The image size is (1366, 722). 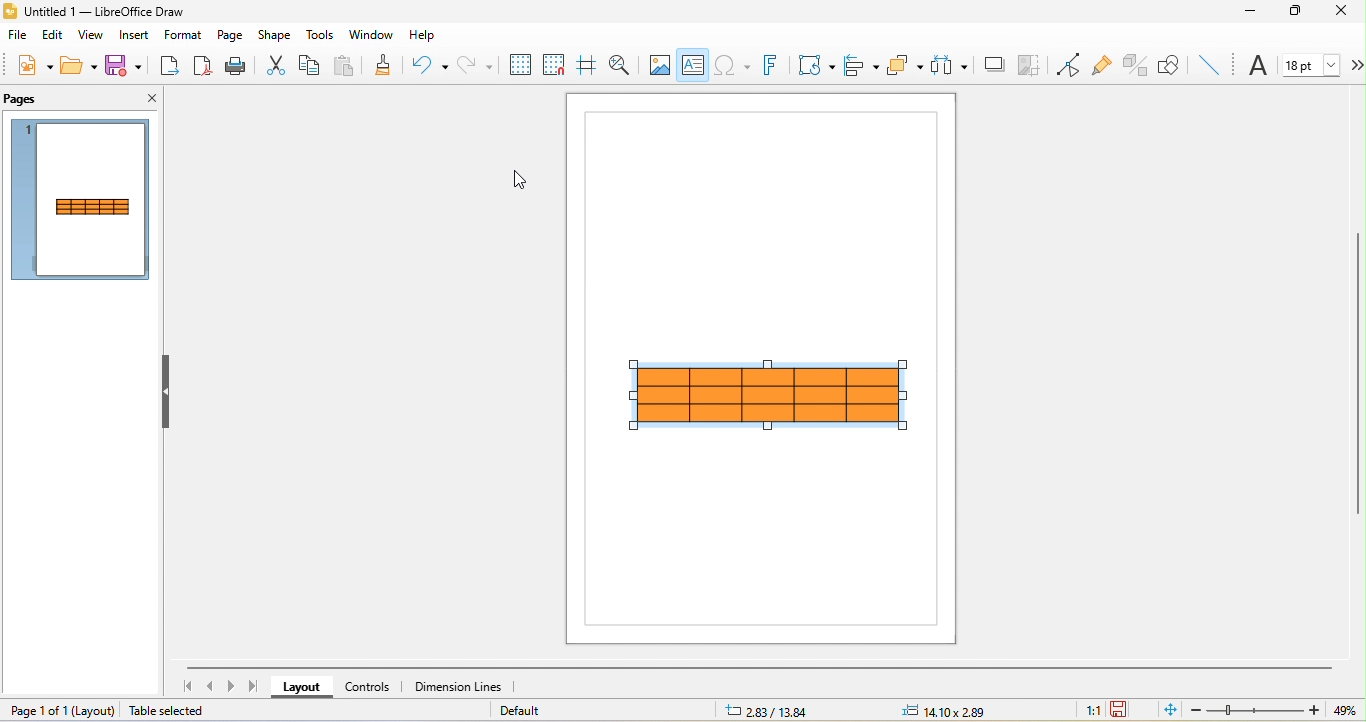 What do you see at coordinates (166, 66) in the screenshot?
I see `export` at bounding box center [166, 66].